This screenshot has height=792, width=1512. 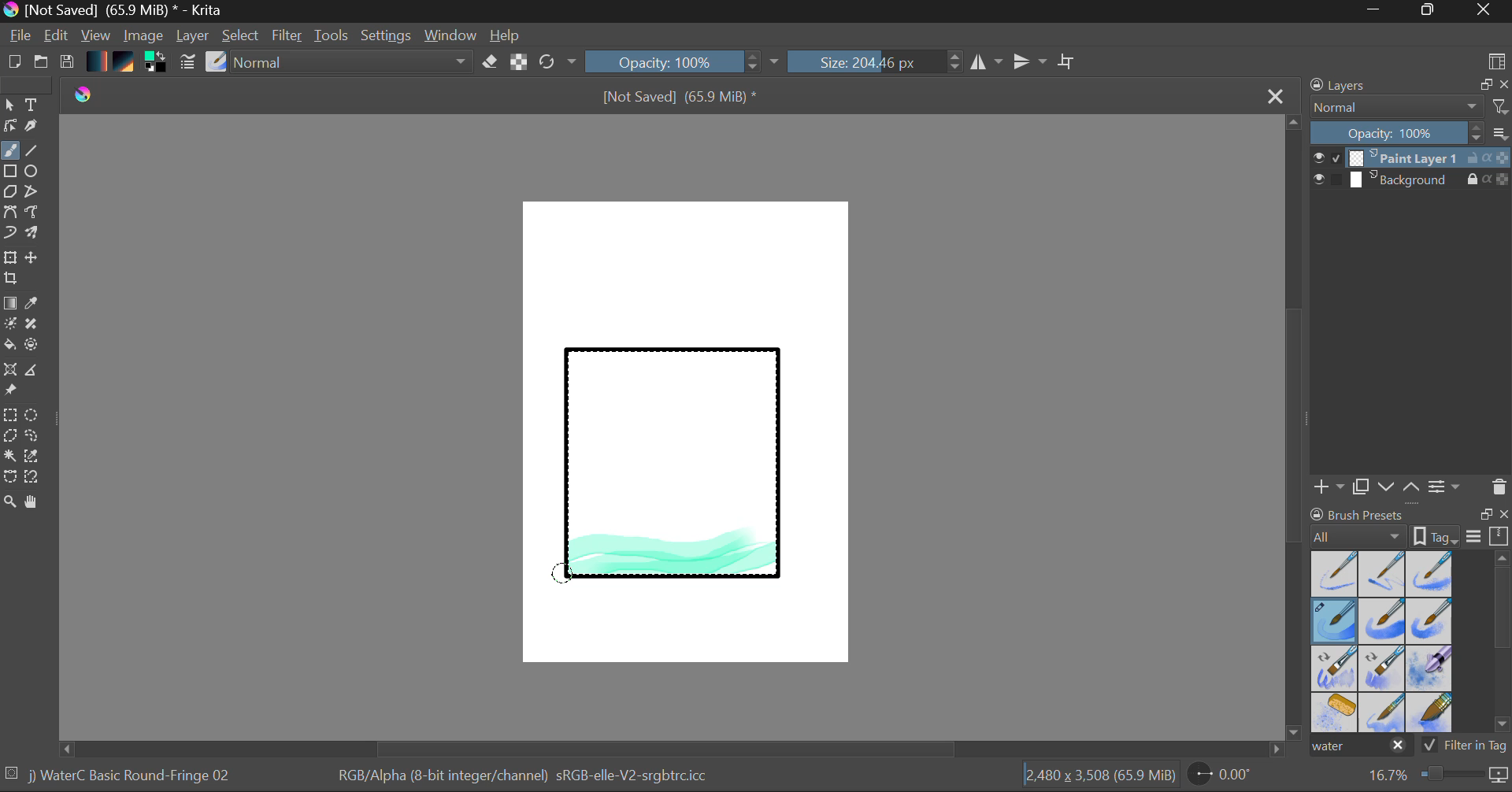 I want to click on Open, so click(x=43, y=64).